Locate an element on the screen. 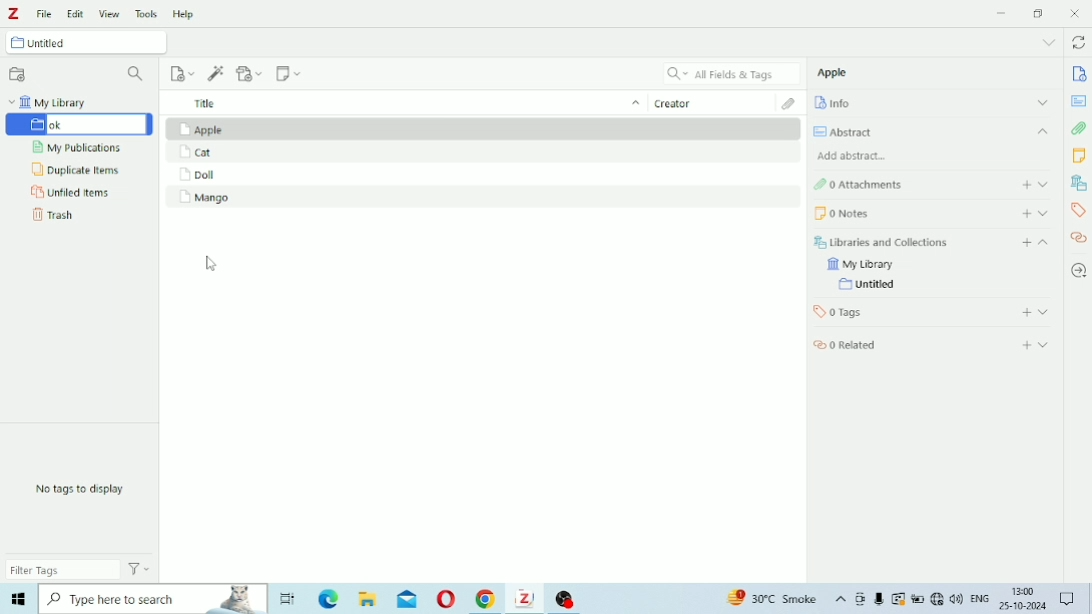 This screenshot has width=1092, height=614.  is located at coordinates (945, 599).